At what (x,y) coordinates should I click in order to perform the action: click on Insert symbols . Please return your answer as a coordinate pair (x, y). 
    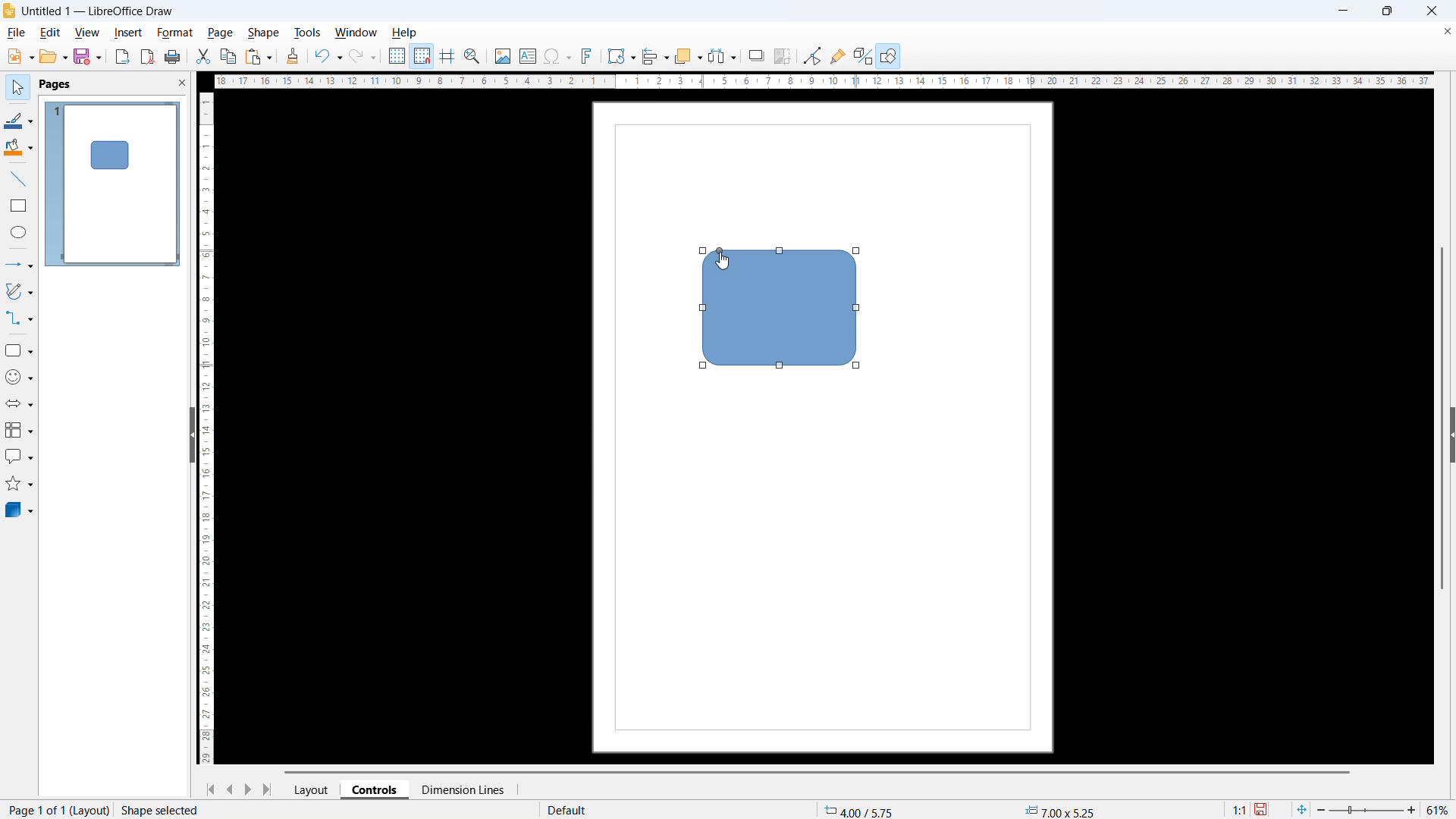
    Looking at the image, I should click on (557, 57).